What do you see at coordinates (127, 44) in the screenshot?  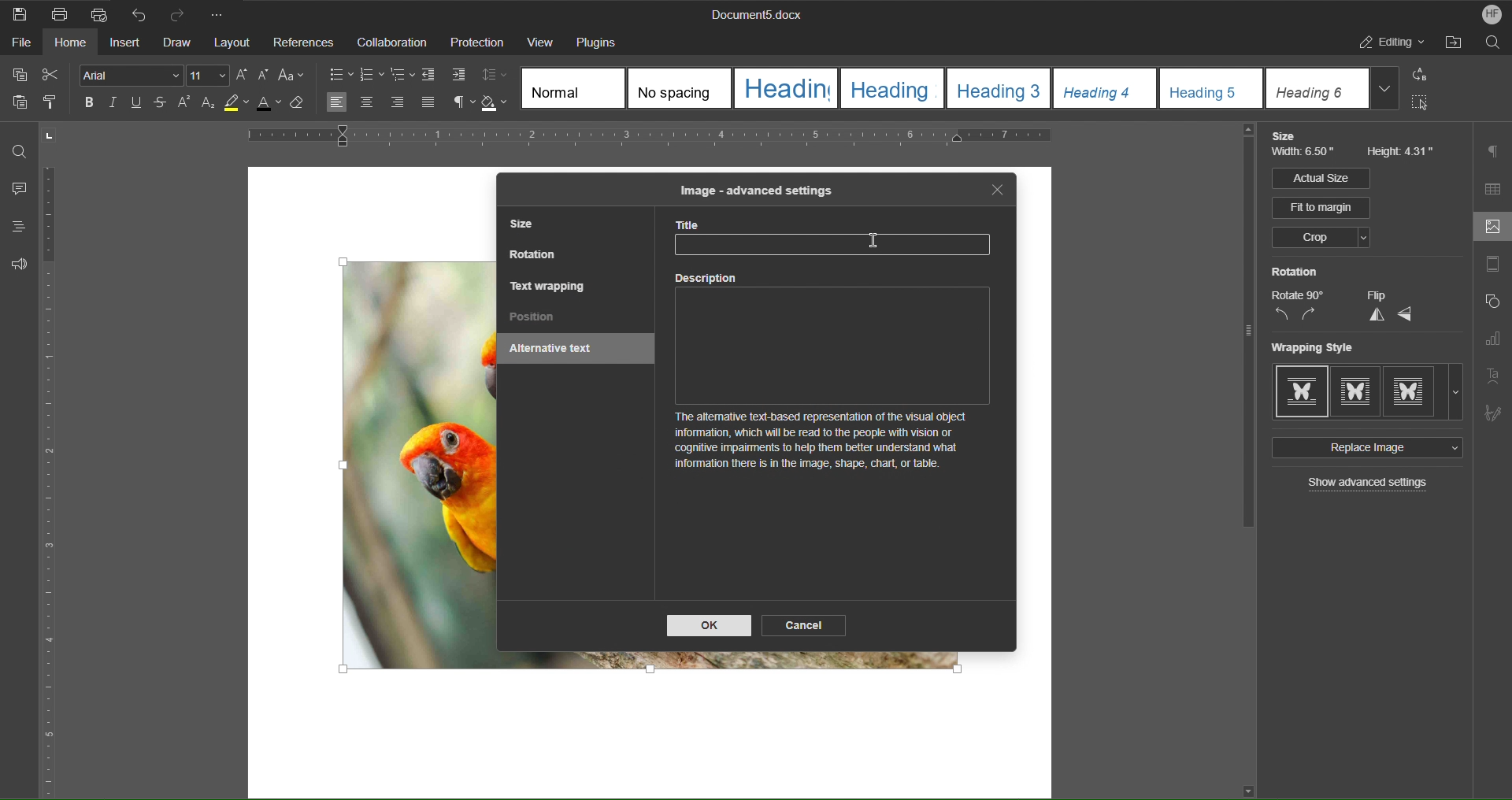 I see `Insert` at bounding box center [127, 44].